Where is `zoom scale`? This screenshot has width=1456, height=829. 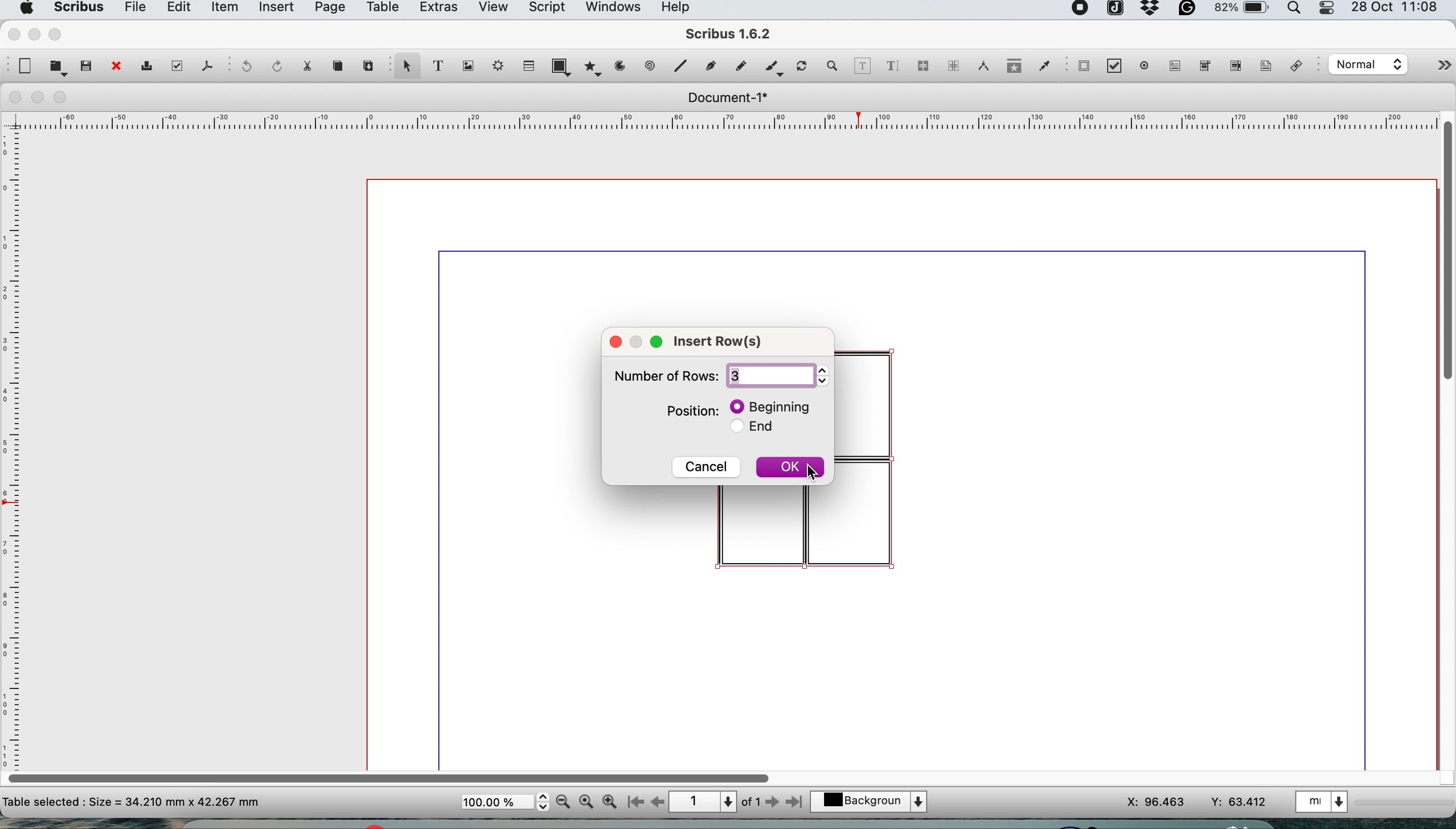
zoom scale is located at coordinates (505, 802).